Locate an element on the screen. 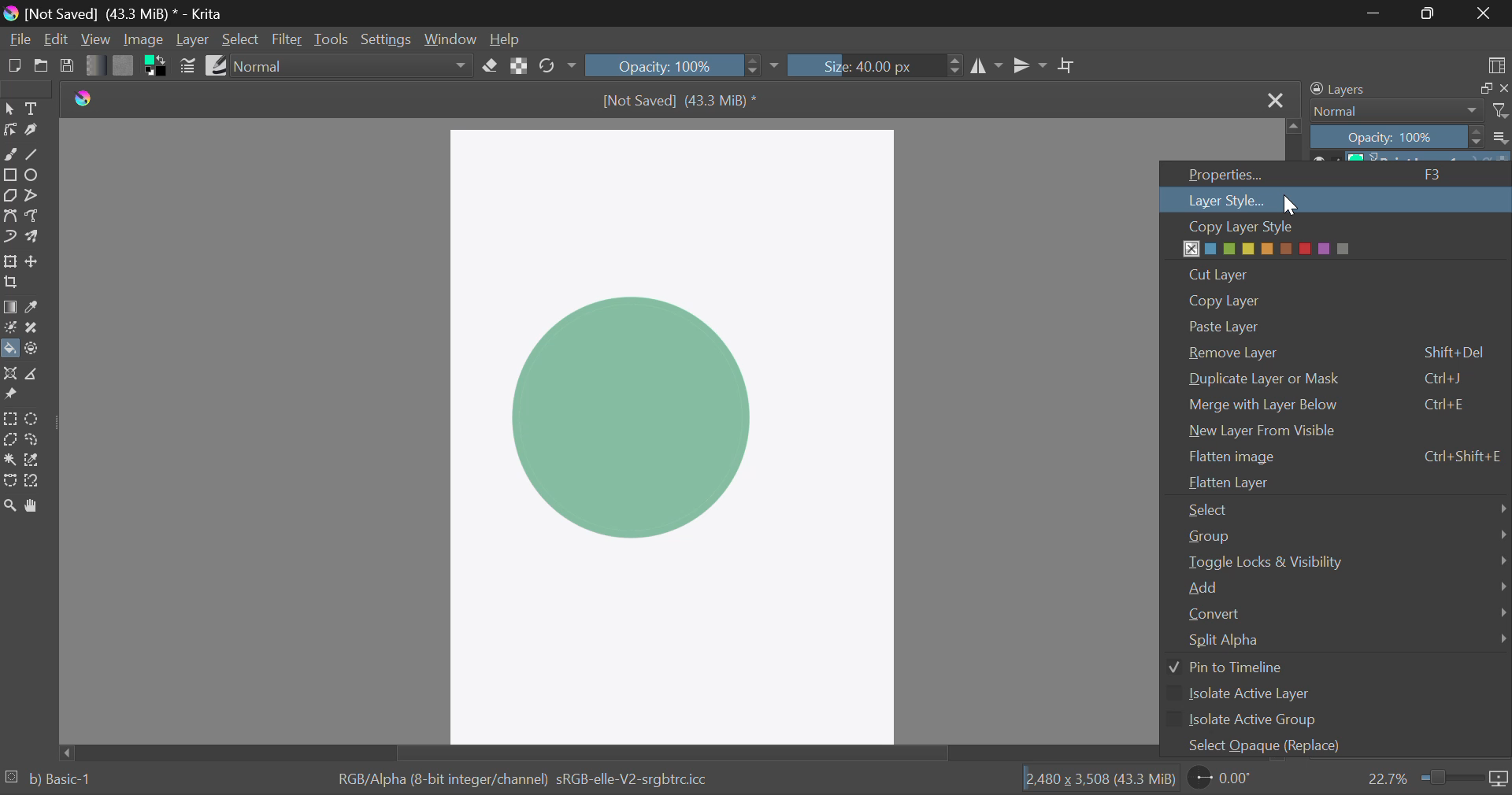 The image size is (1512, 795). Assistant Tool is located at coordinates (10, 374).